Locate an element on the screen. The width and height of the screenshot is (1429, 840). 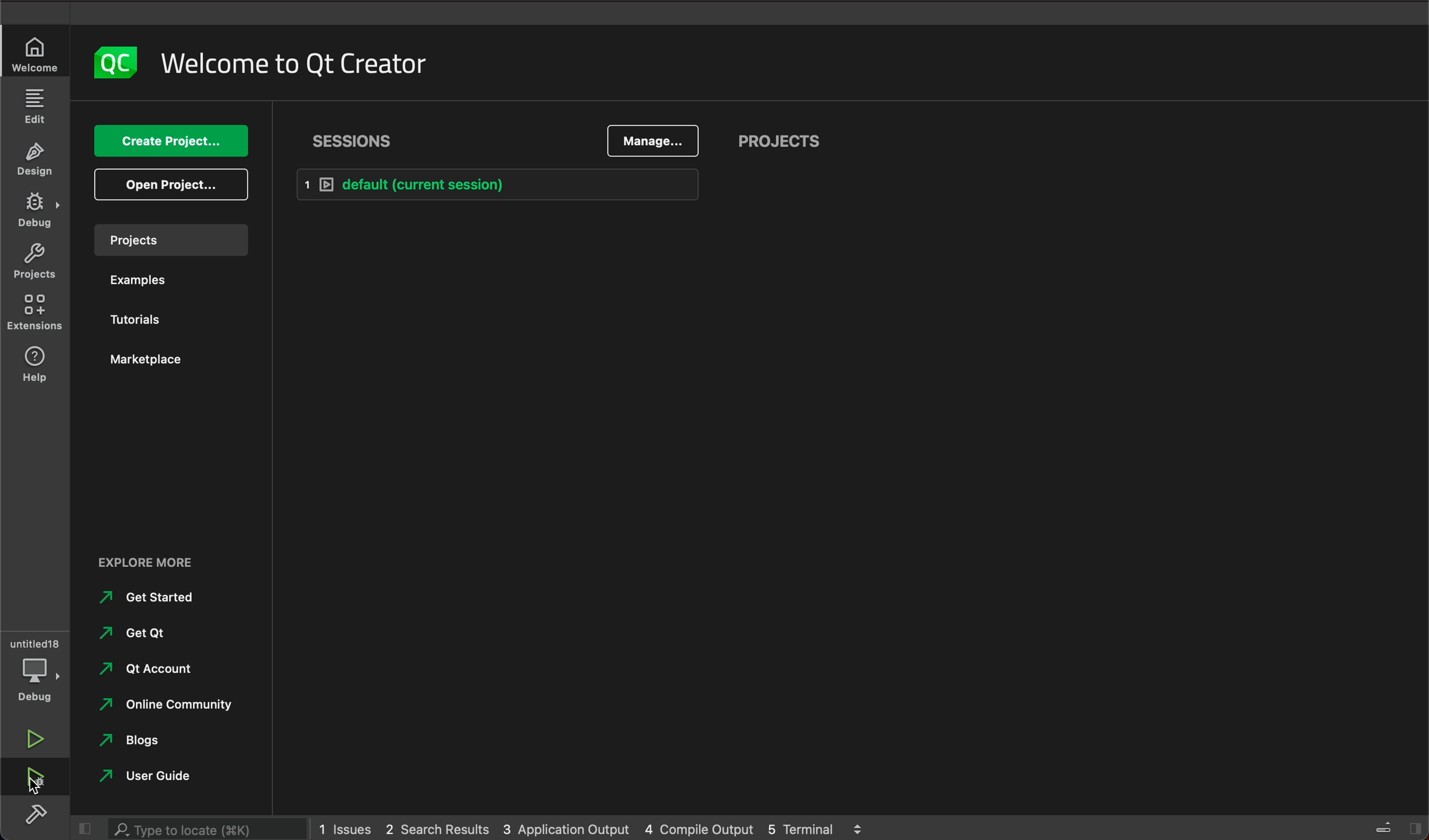
search is located at coordinates (208, 828).